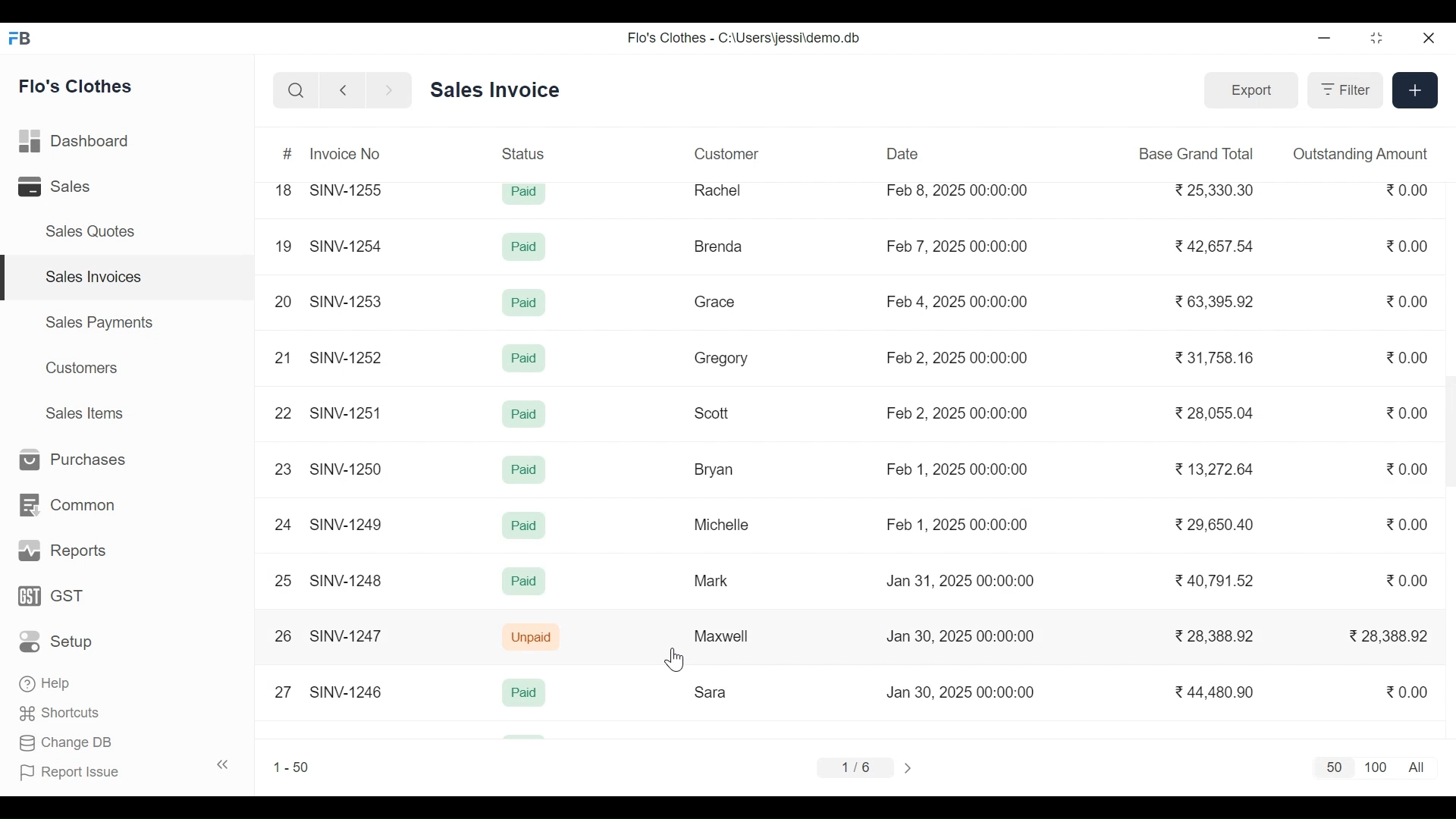  Describe the element at coordinates (722, 524) in the screenshot. I see `Michelle` at that location.